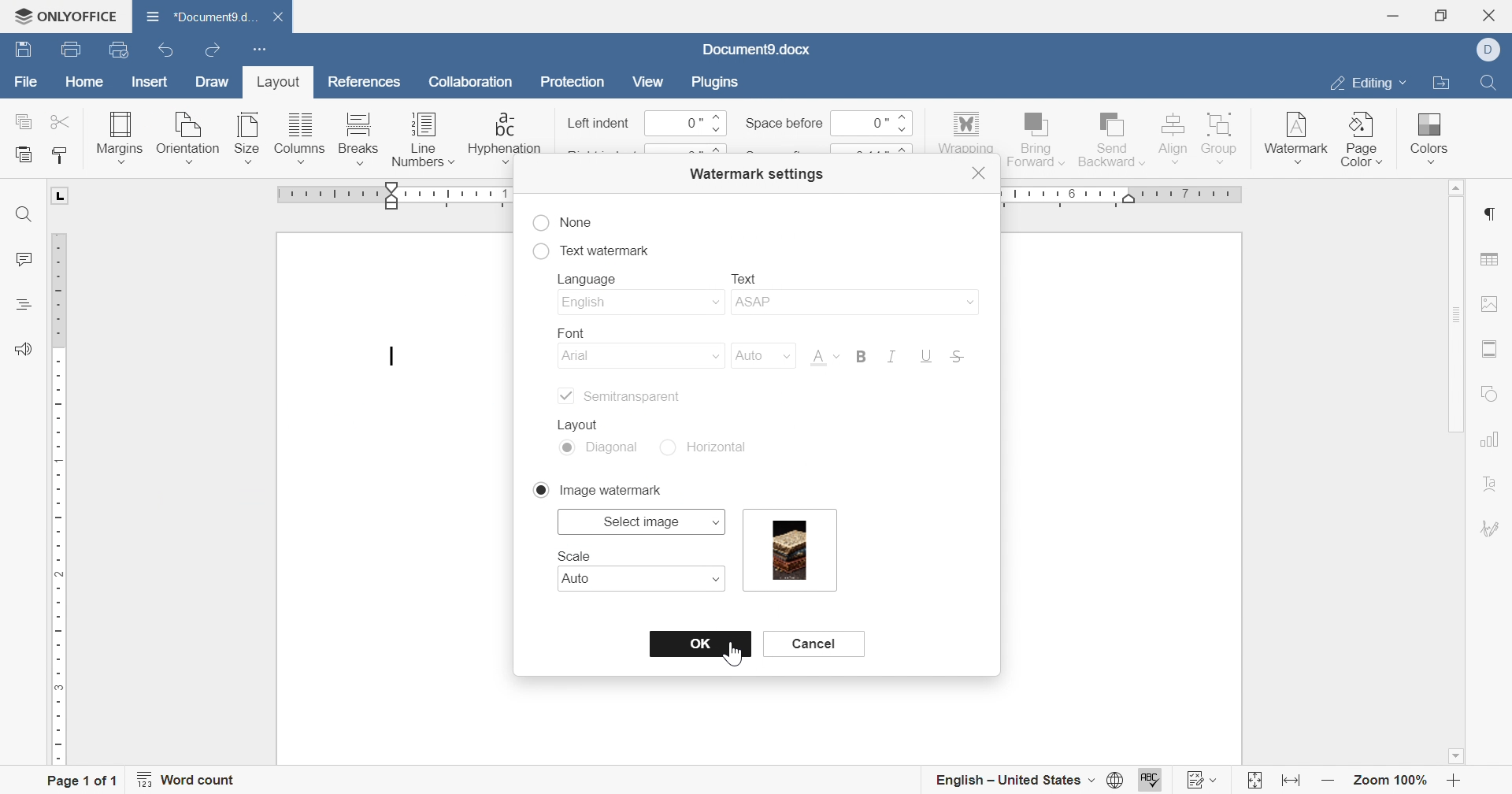 The image size is (1512, 794). What do you see at coordinates (711, 447) in the screenshot?
I see `horizontal` at bounding box center [711, 447].